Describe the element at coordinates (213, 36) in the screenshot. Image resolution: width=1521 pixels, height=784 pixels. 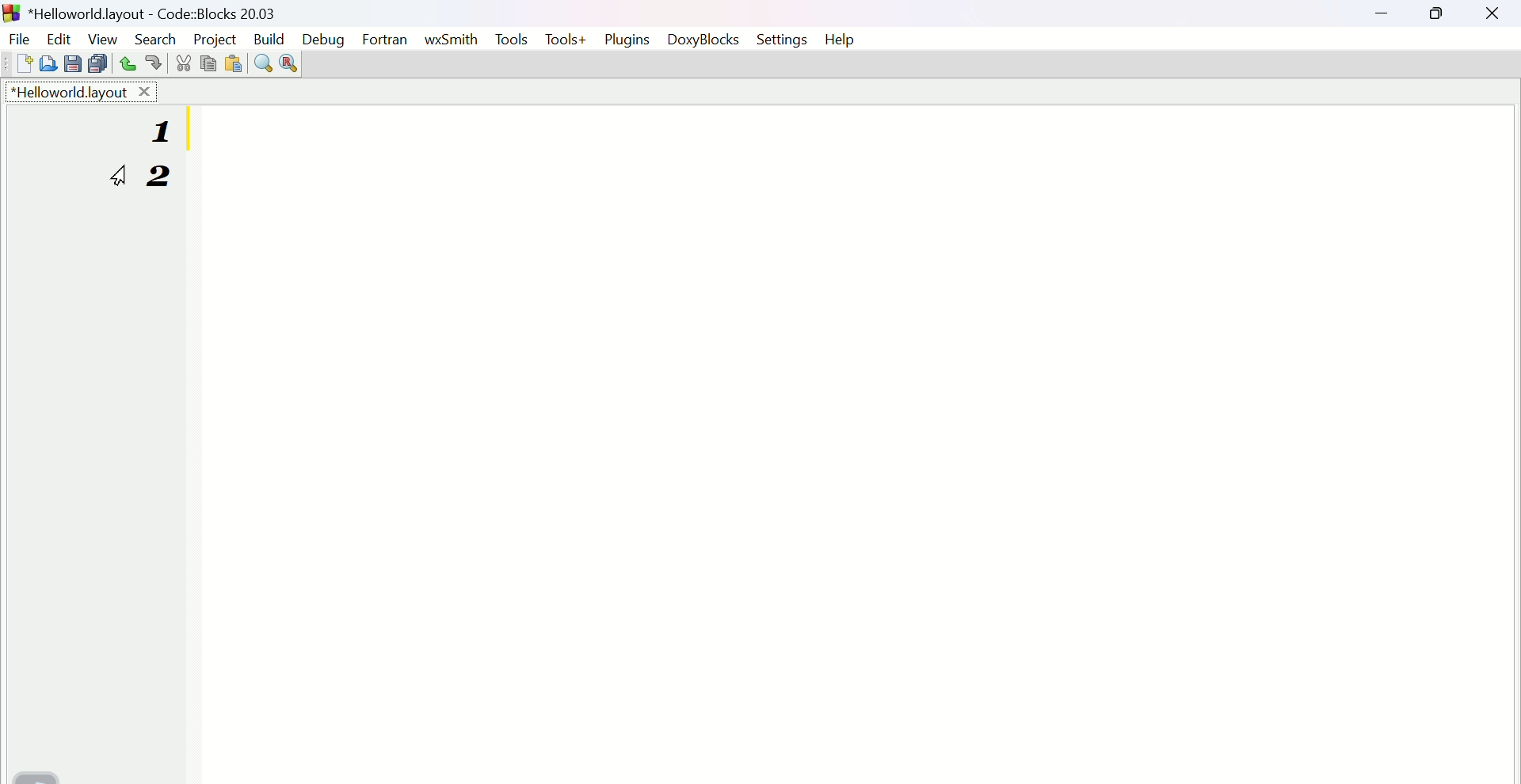
I see `Project` at that location.